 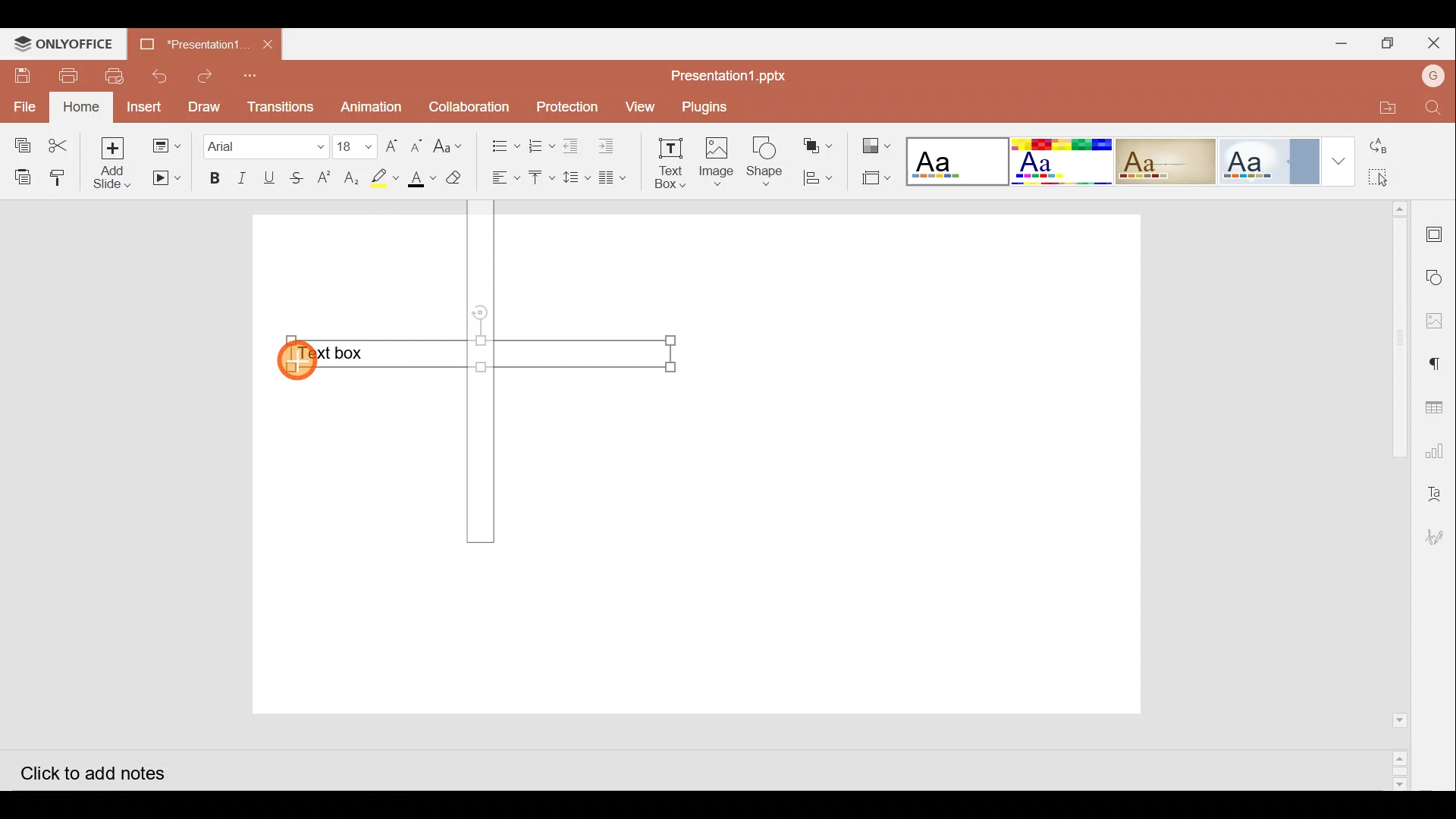 I want to click on Insert columns, so click(x=617, y=175).